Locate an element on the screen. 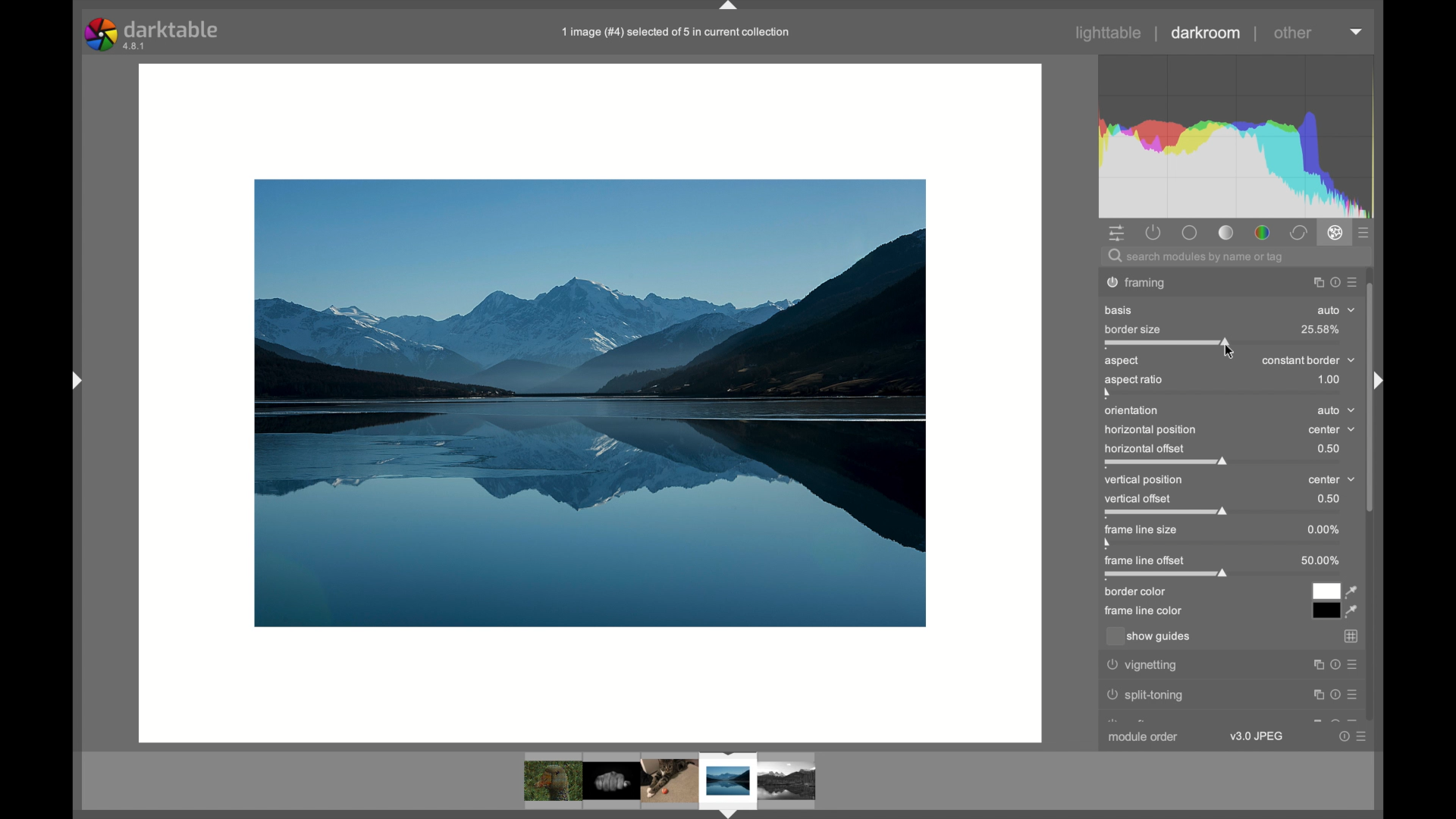  more options is located at coordinates (1332, 692).